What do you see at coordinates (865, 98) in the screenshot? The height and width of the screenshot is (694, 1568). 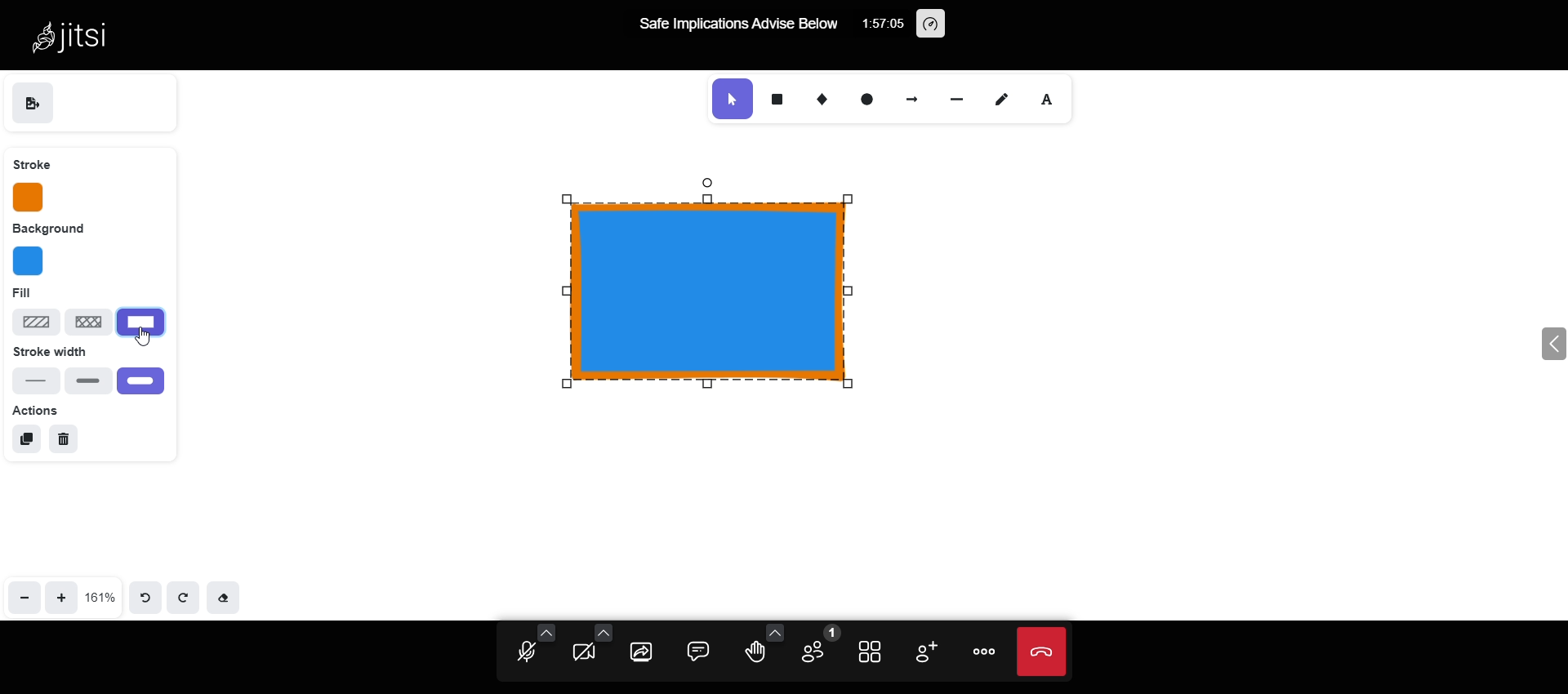 I see `ellipse` at bounding box center [865, 98].